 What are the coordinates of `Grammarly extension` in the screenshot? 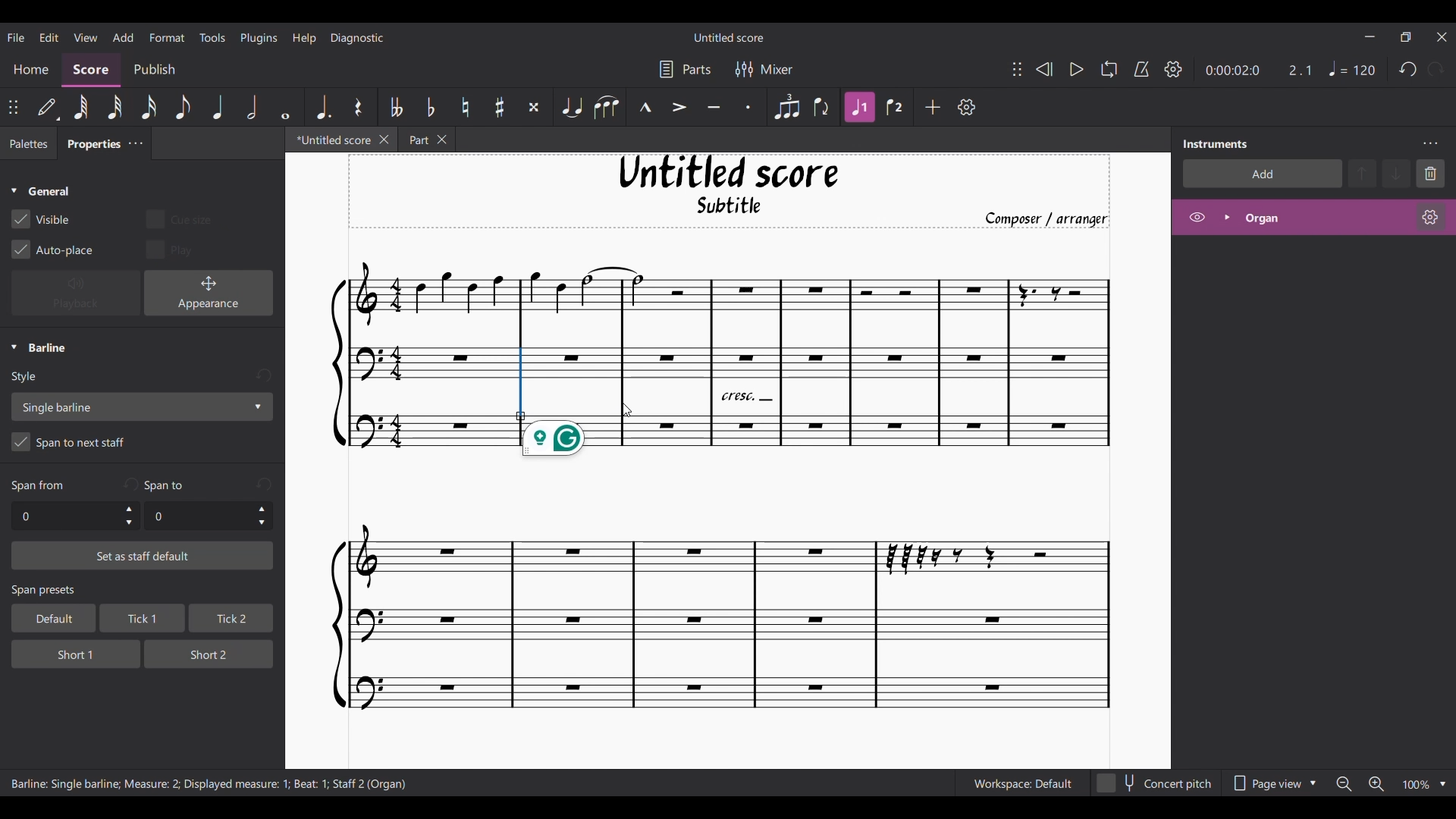 It's located at (554, 441).